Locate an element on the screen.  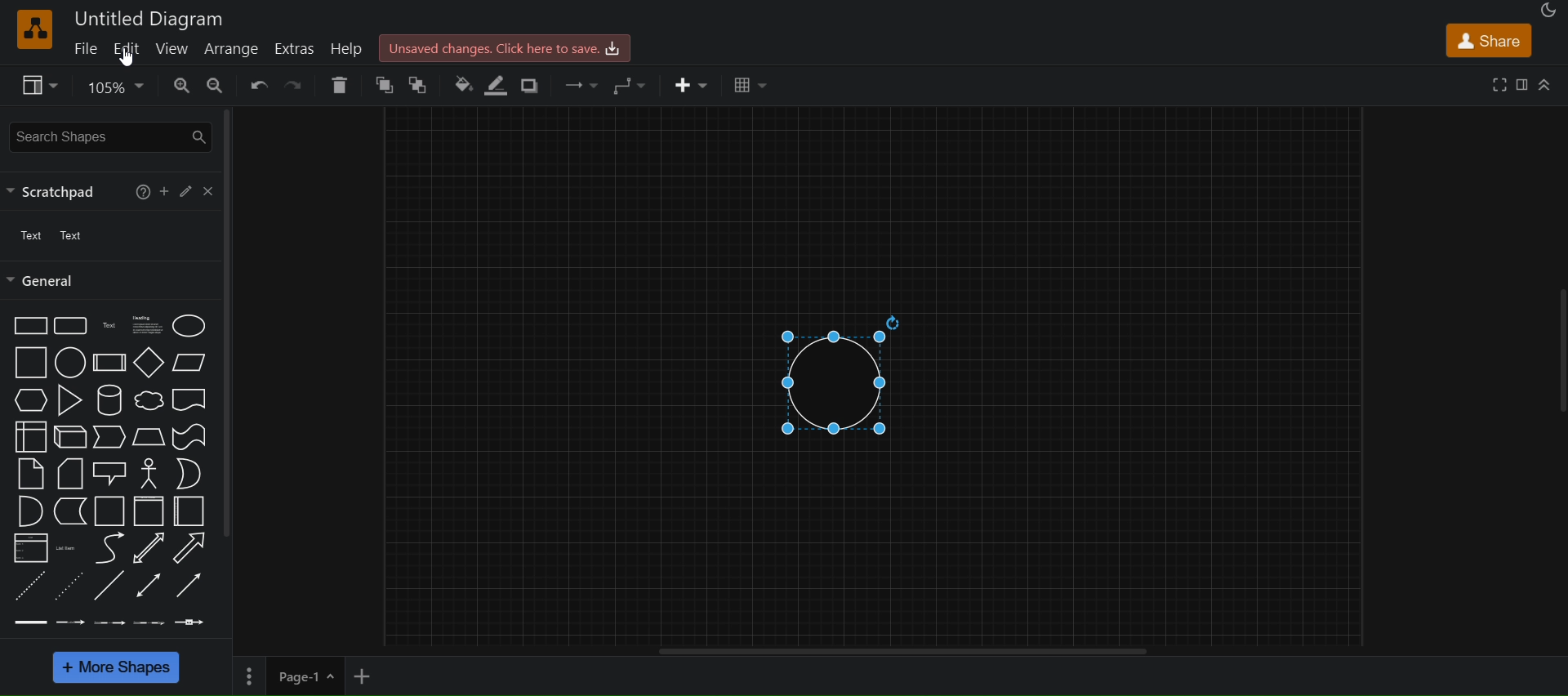
appearance is located at coordinates (1547, 11).